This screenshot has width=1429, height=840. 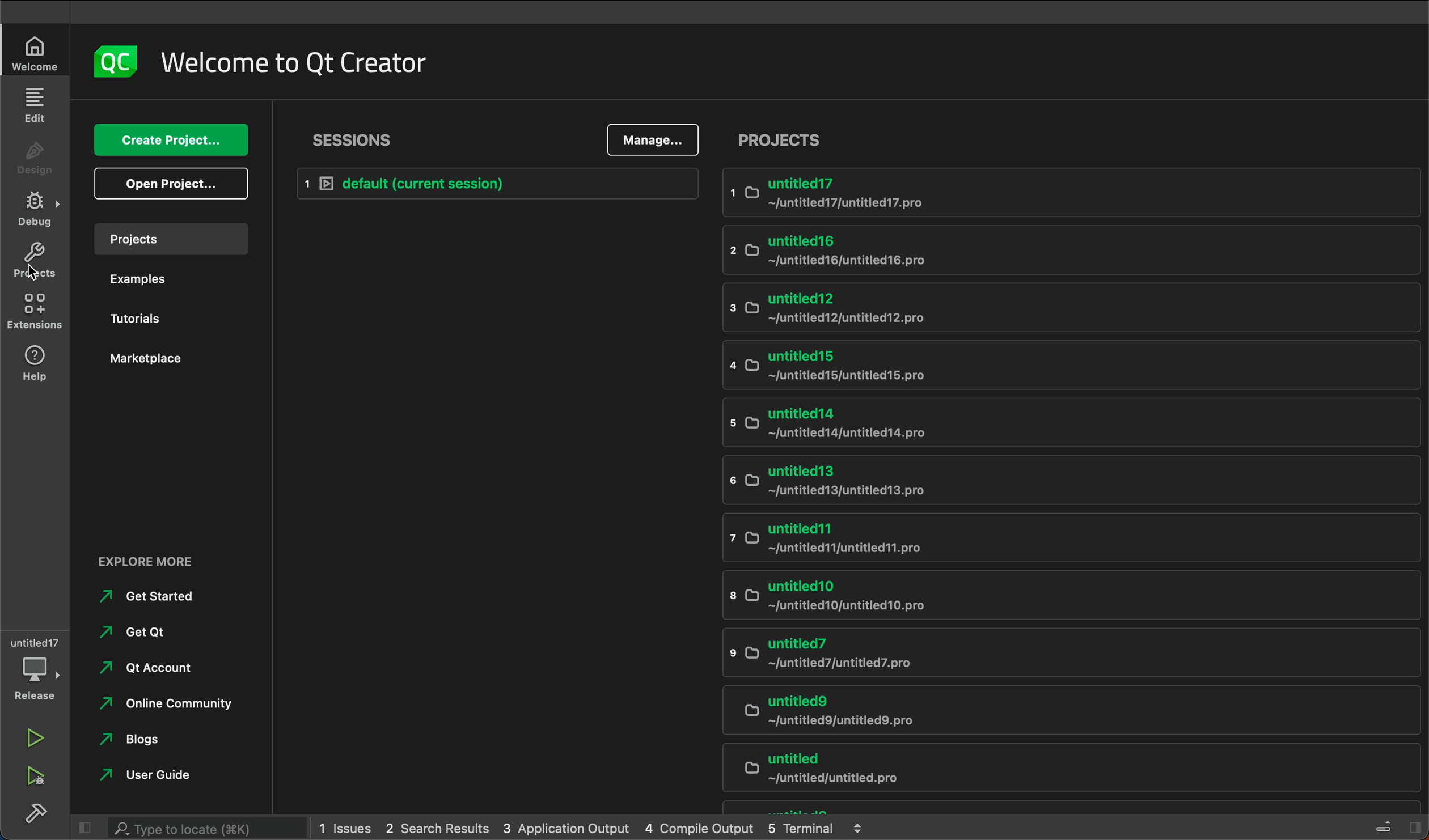 What do you see at coordinates (1393, 826) in the screenshot?
I see `sidebar toggle` at bounding box center [1393, 826].